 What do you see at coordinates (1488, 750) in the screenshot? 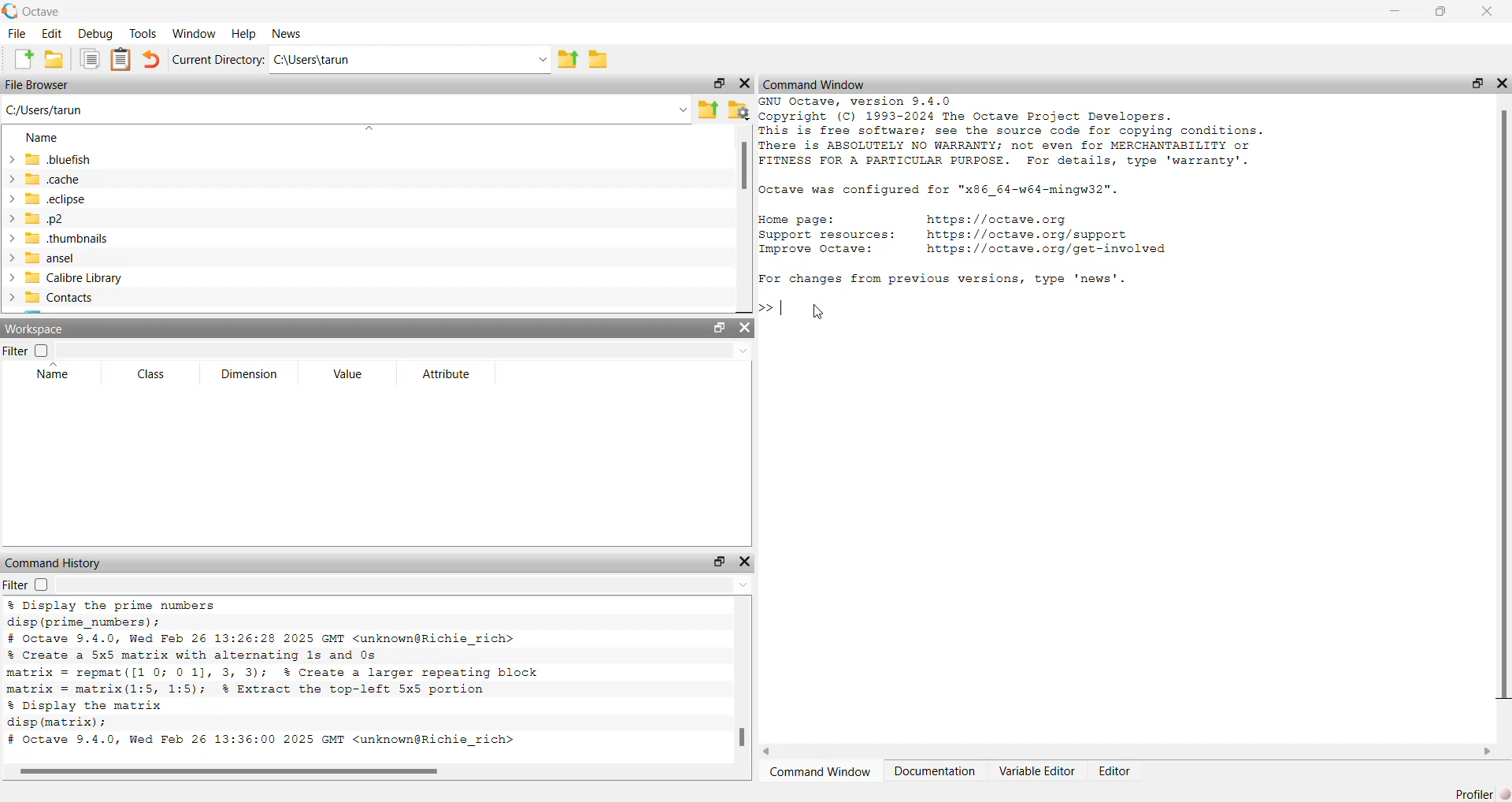
I see `move right` at bounding box center [1488, 750].